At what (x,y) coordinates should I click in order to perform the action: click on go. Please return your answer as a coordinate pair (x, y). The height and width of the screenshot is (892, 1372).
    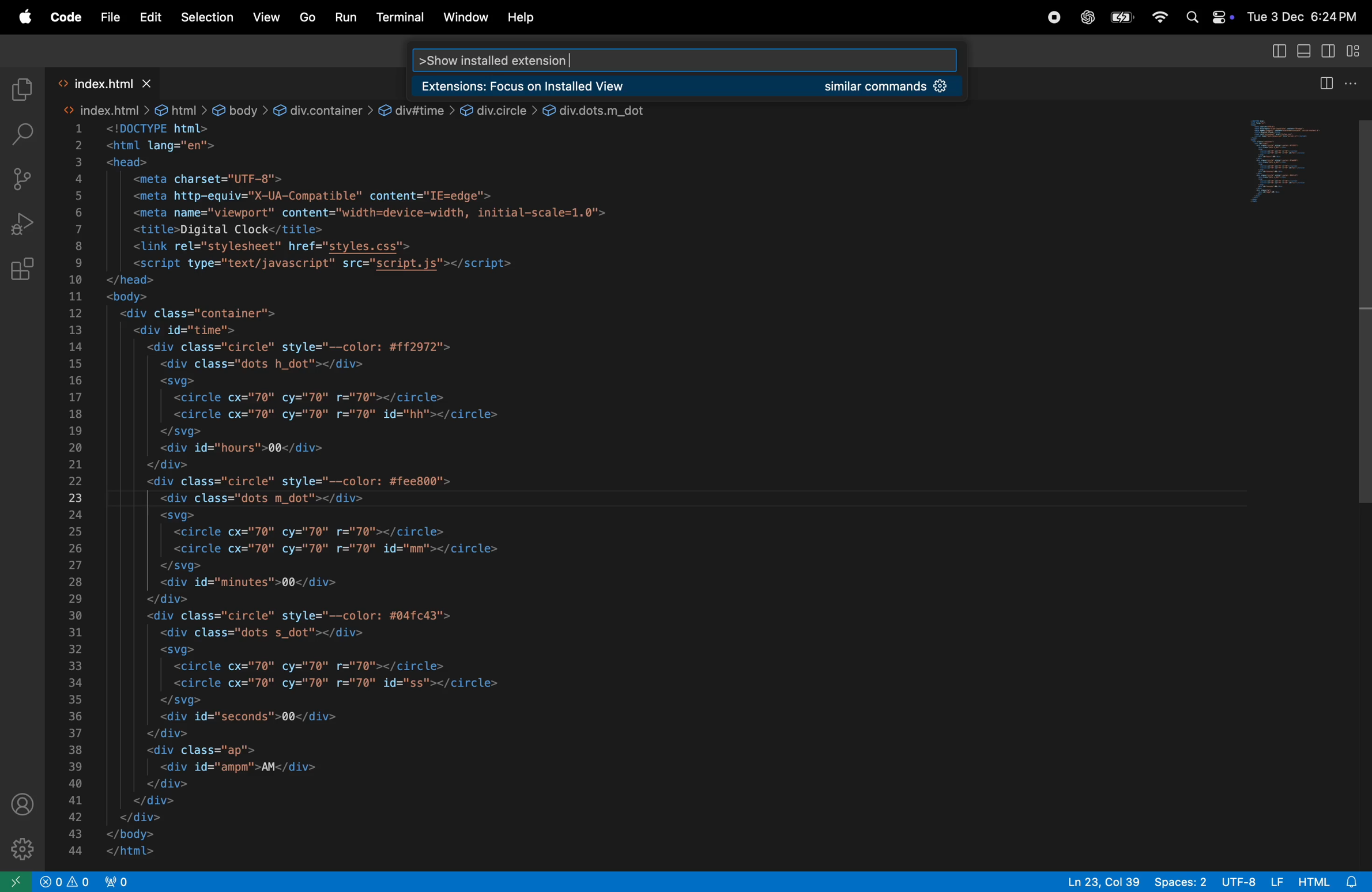
    Looking at the image, I should click on (308, 17).